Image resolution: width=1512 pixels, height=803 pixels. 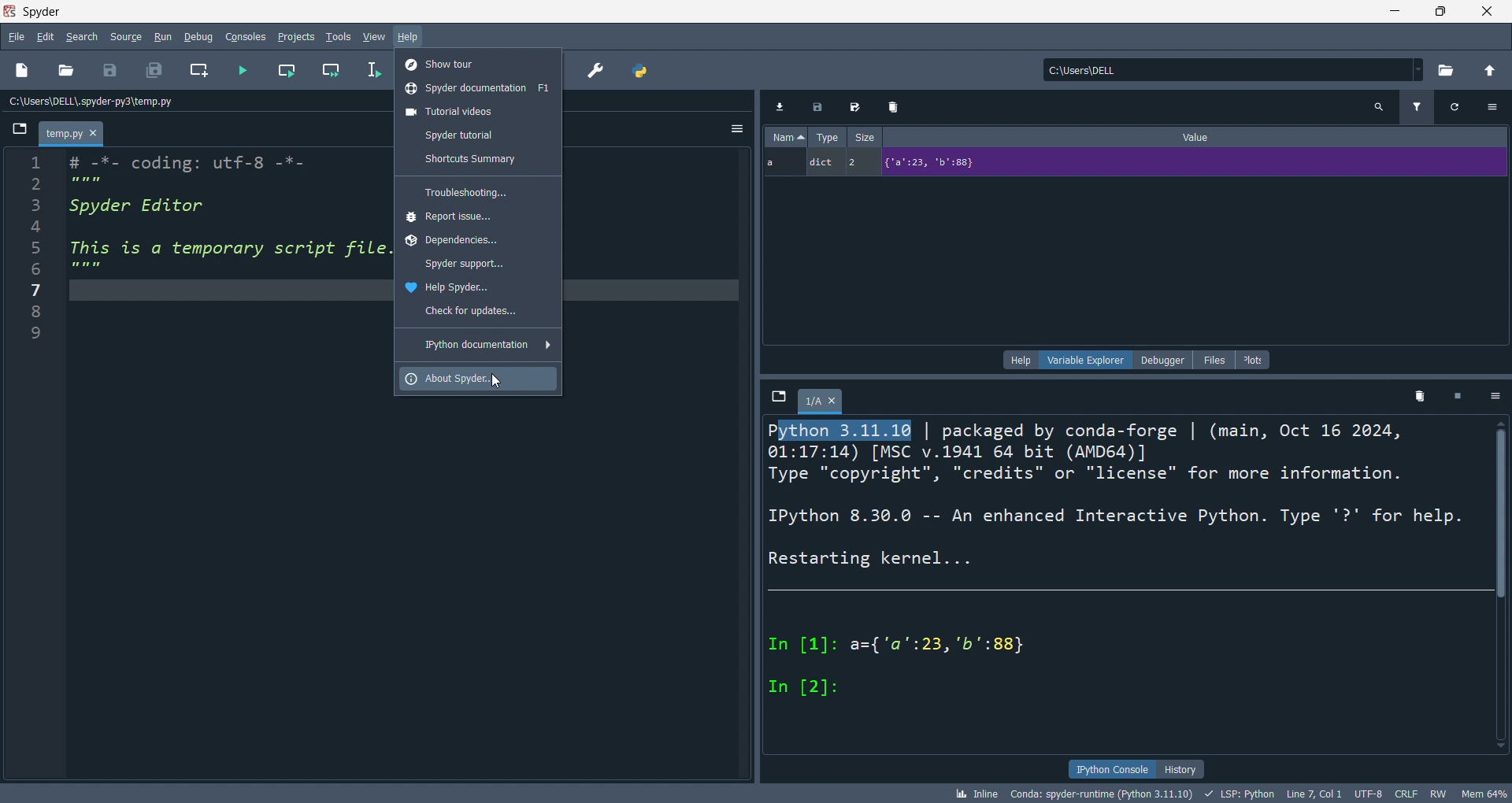 What do you see at coordinates (895, 106) in the screenshot?
I see `Delete` at bounding box center [895, 106].